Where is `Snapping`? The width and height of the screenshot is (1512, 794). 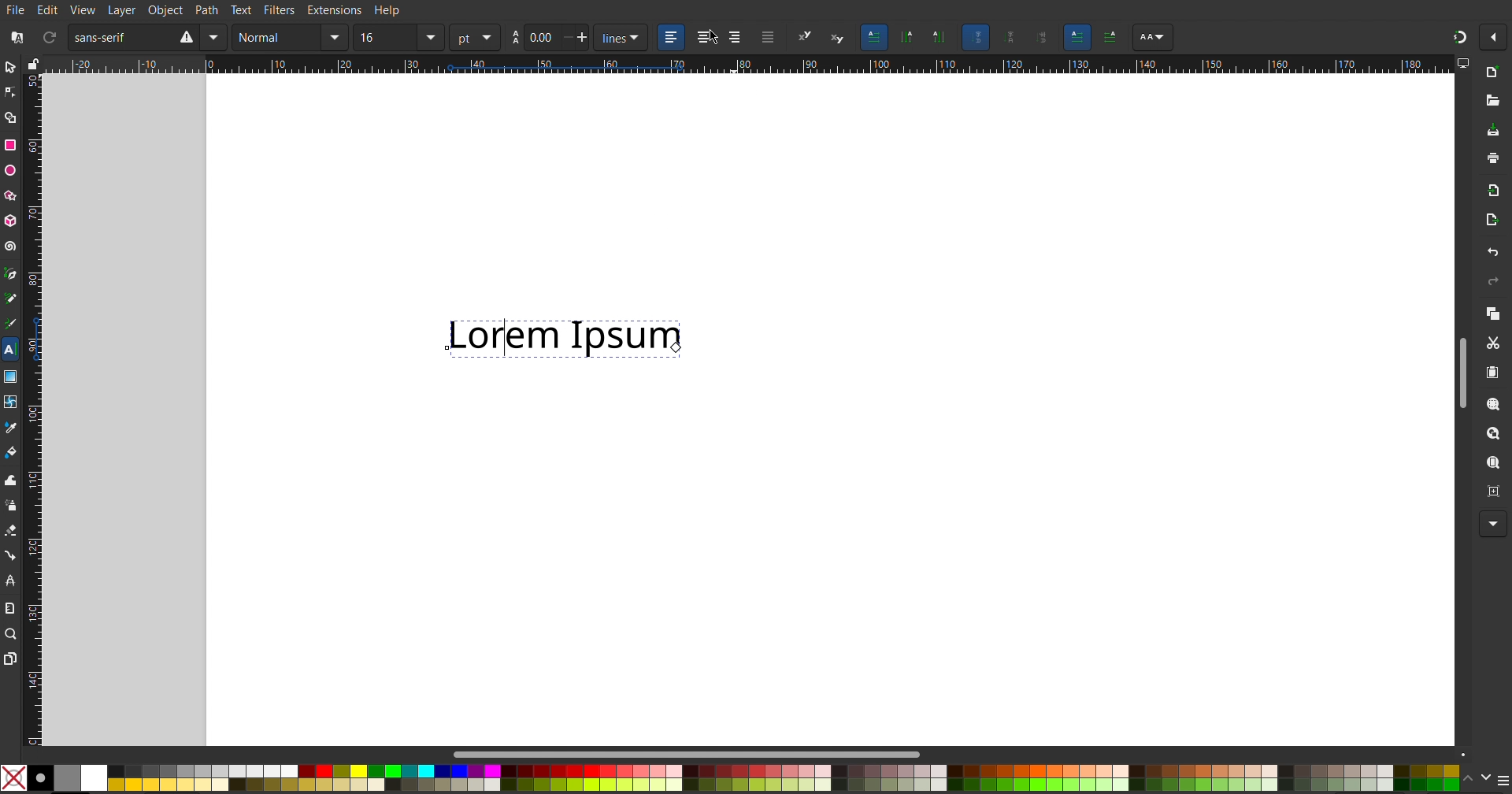 Snapping is located at coordinates (1456, 38).